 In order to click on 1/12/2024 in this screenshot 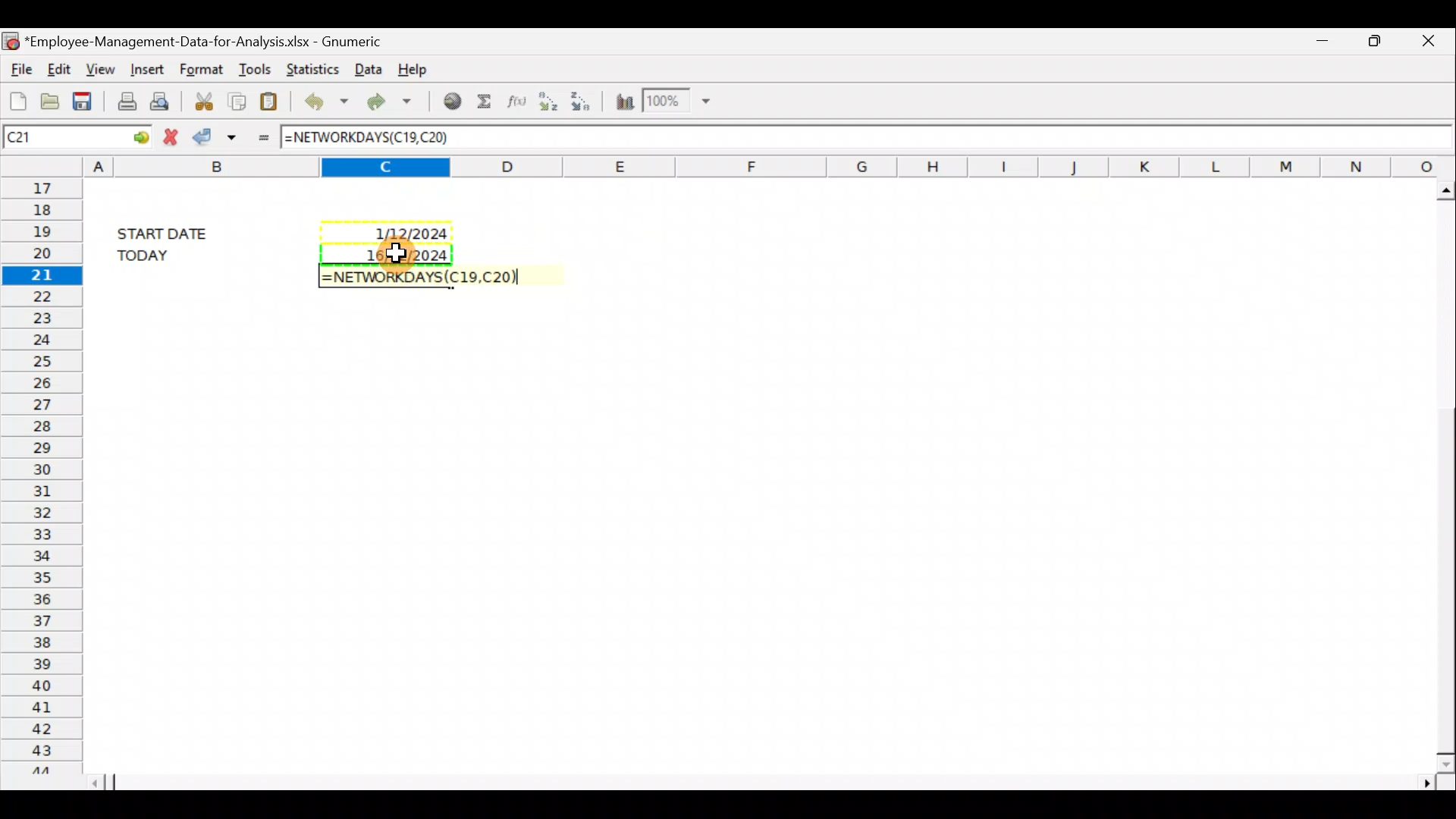, I will do `click(413, 235)`.